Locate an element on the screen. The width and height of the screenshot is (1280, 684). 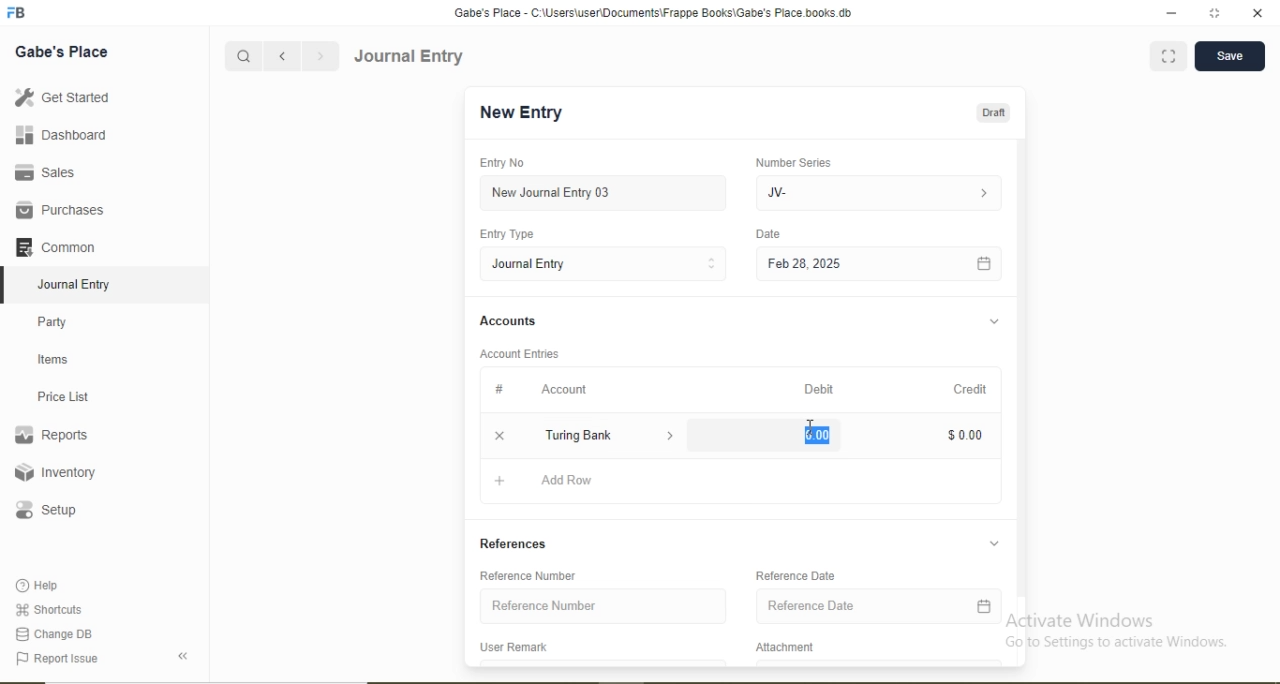
Gabe's Place is located at coordinates (62, 52).